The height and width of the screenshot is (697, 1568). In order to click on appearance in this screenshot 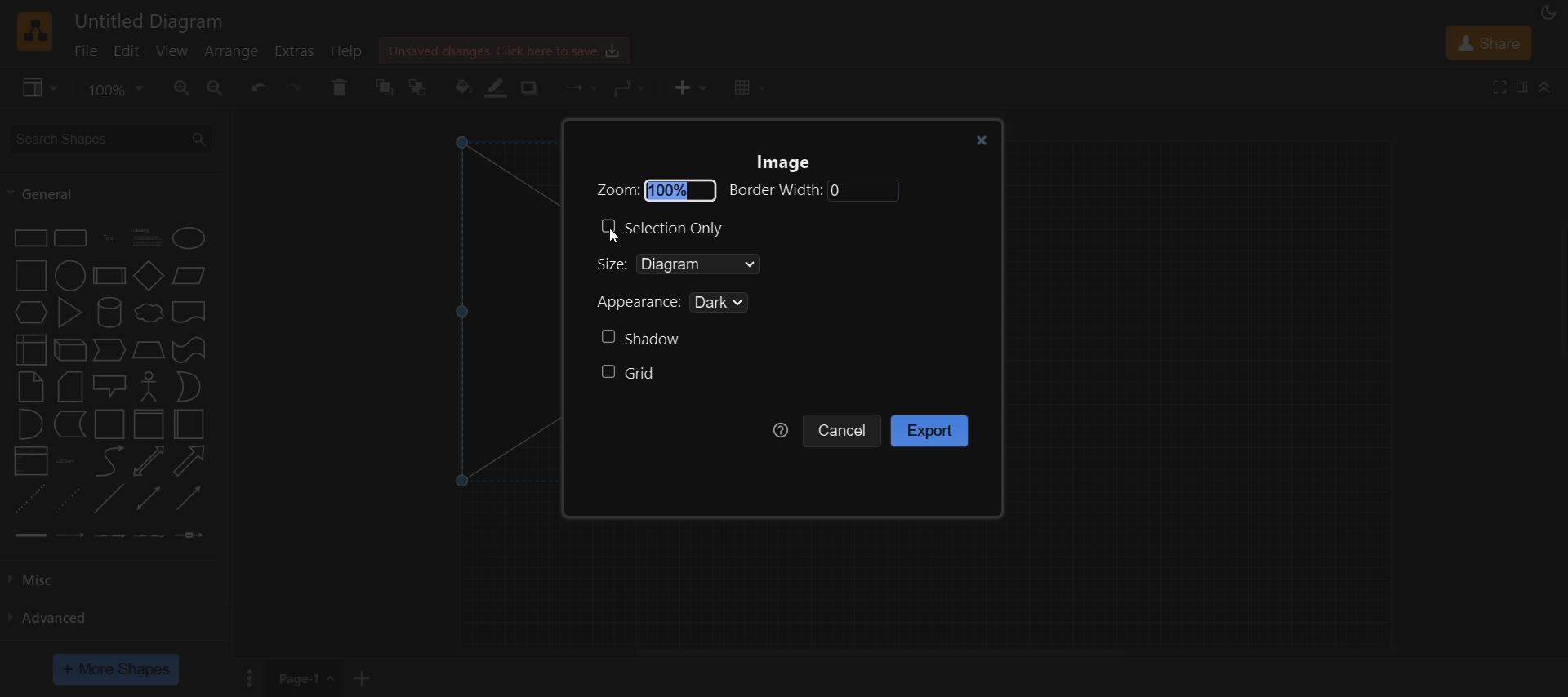, I will do `click(686, 304)`.